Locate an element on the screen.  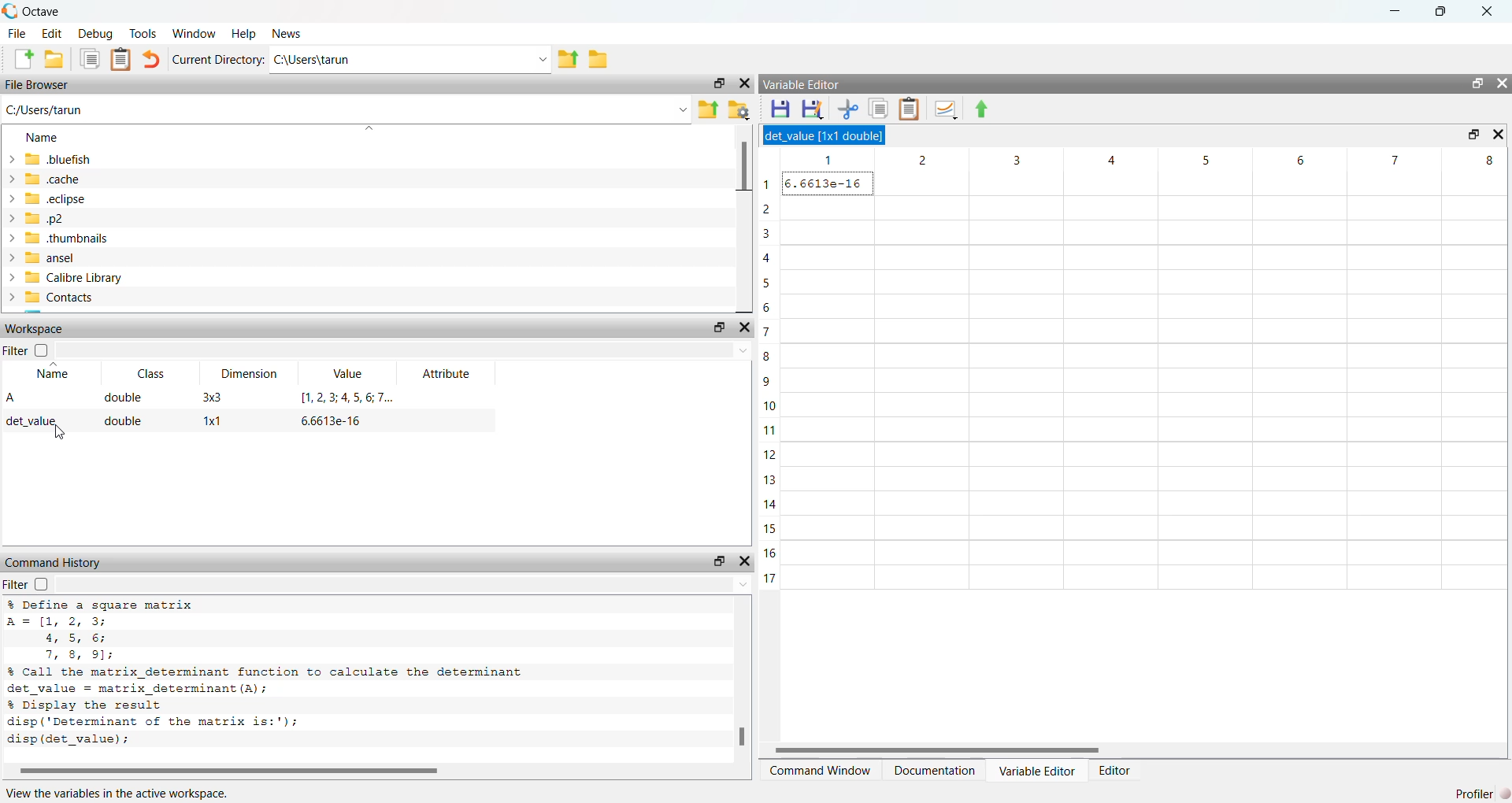
1 2 3 4 5 6 7 8 is located at coordinates (1149, 159).